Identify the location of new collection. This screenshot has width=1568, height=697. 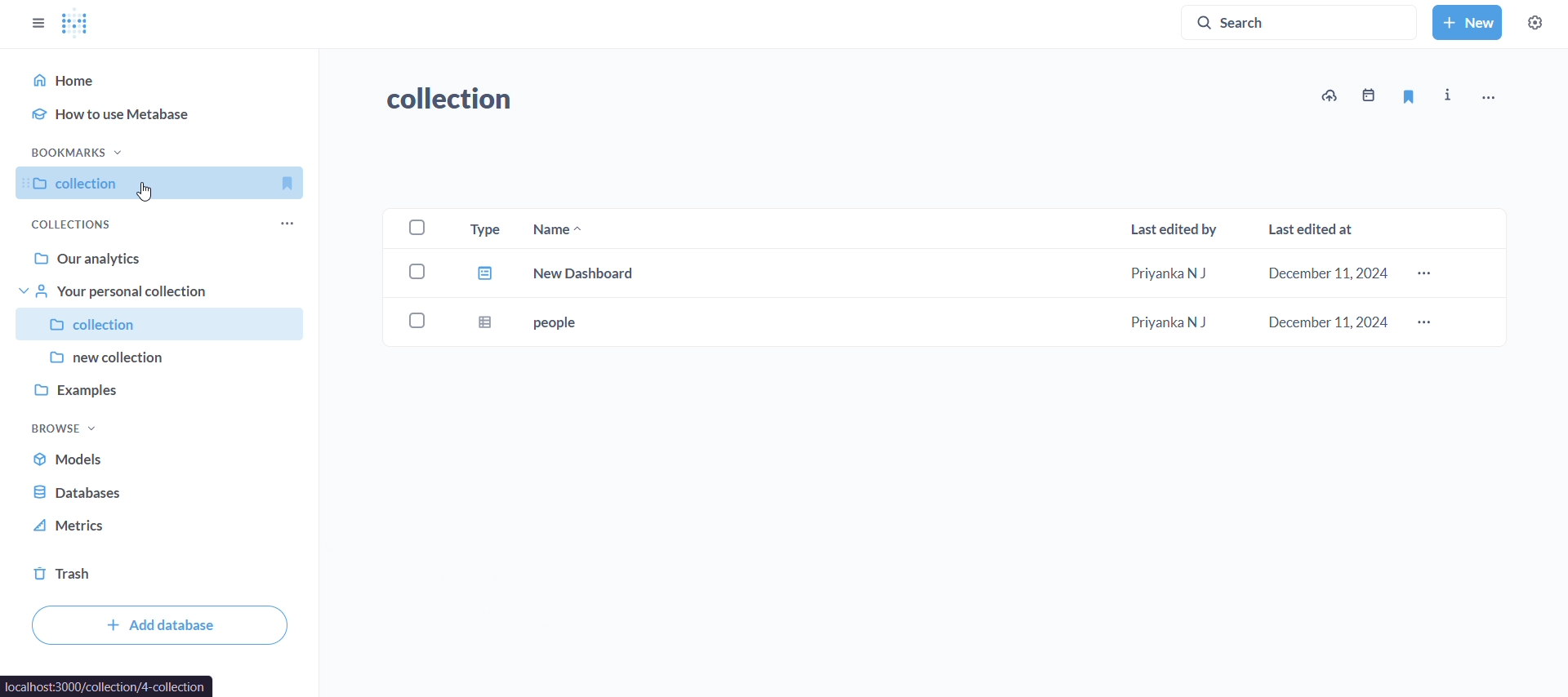
(160, 354).